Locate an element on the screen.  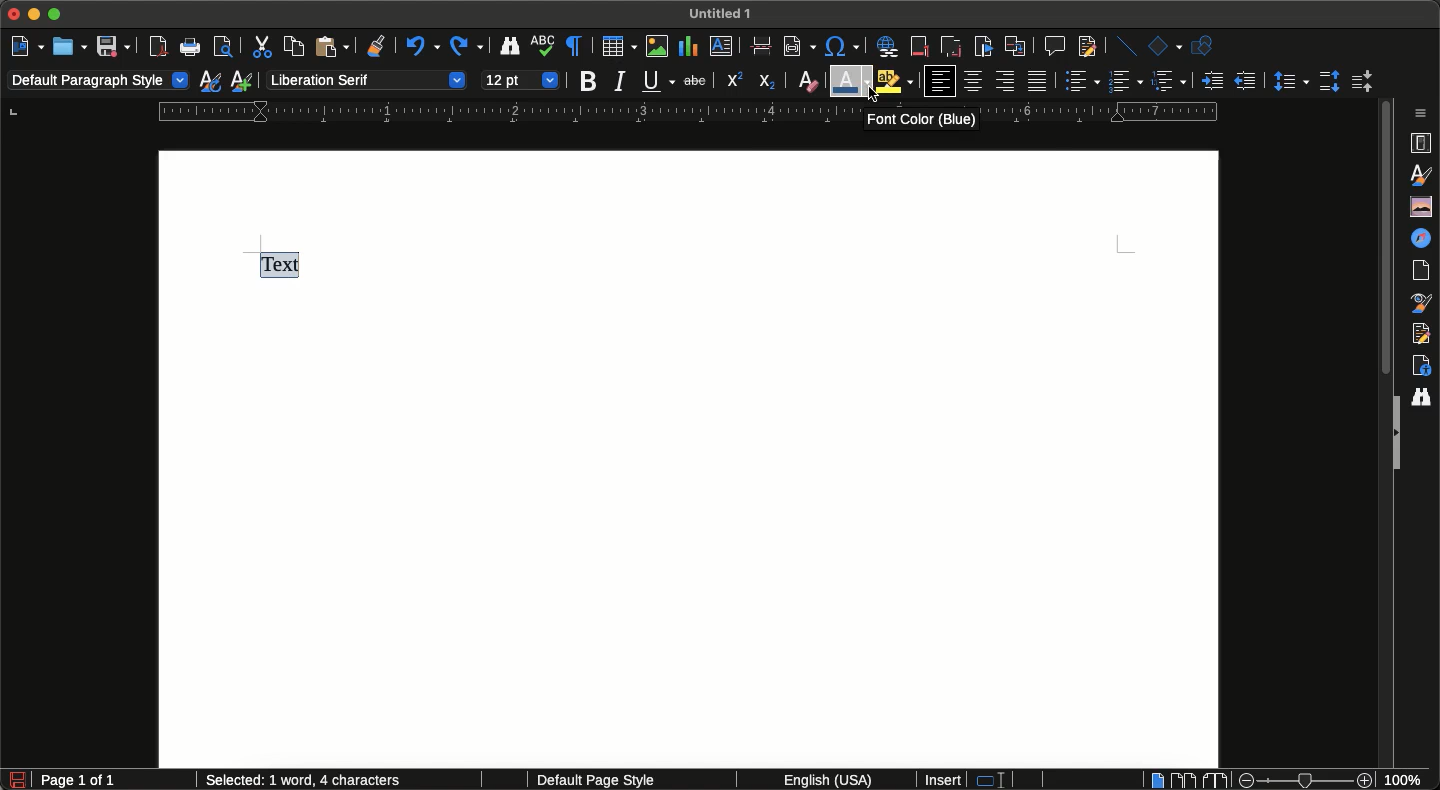
Superscript is located at coordinates (733, 81).